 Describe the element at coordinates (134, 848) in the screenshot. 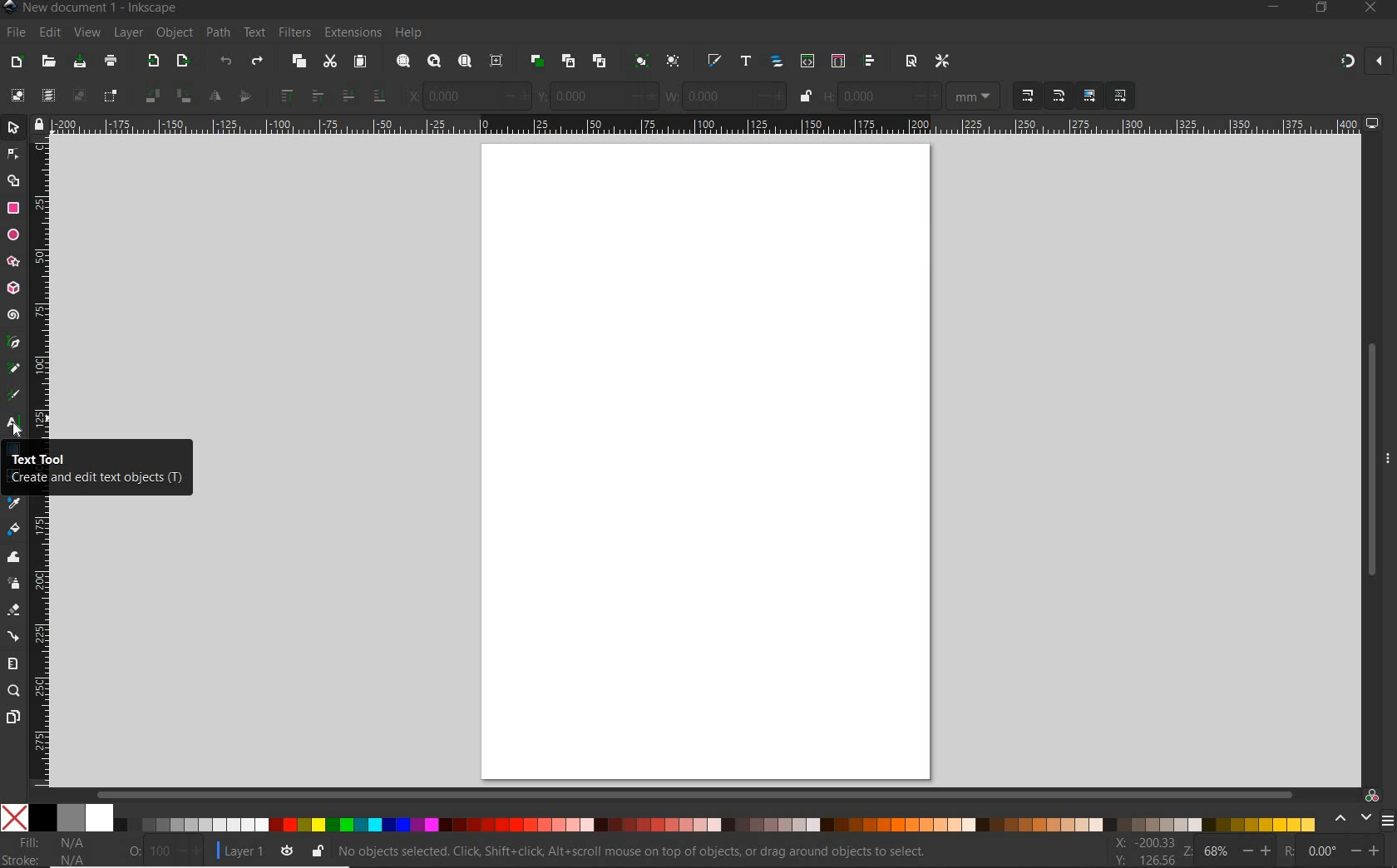

I see `0` at that location.